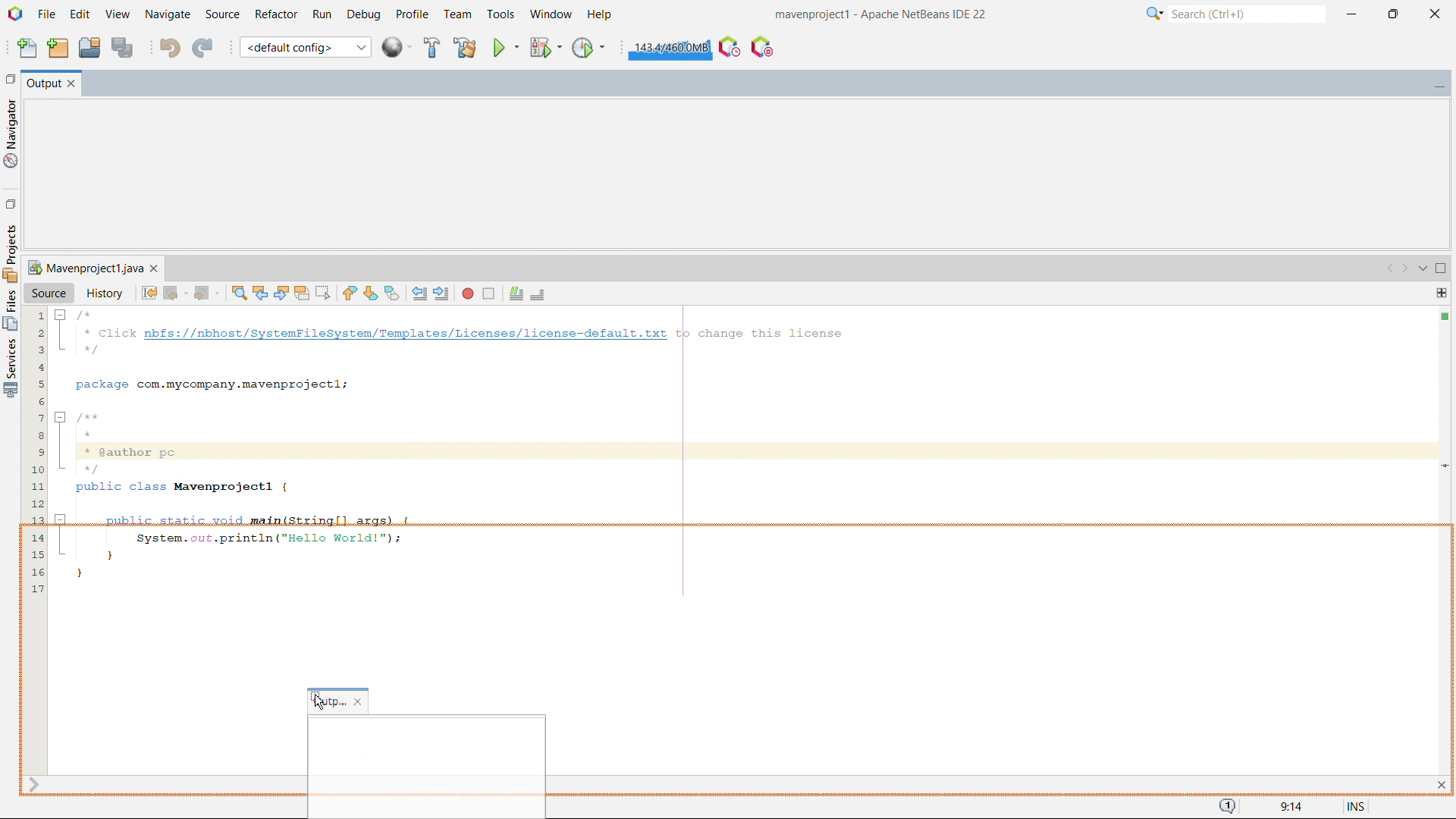 Image resolution: width=1456 pixels, height=819 pixels. Describe the element at coordinates (1155, 14) in the screenshot. I see `search options` at that location.